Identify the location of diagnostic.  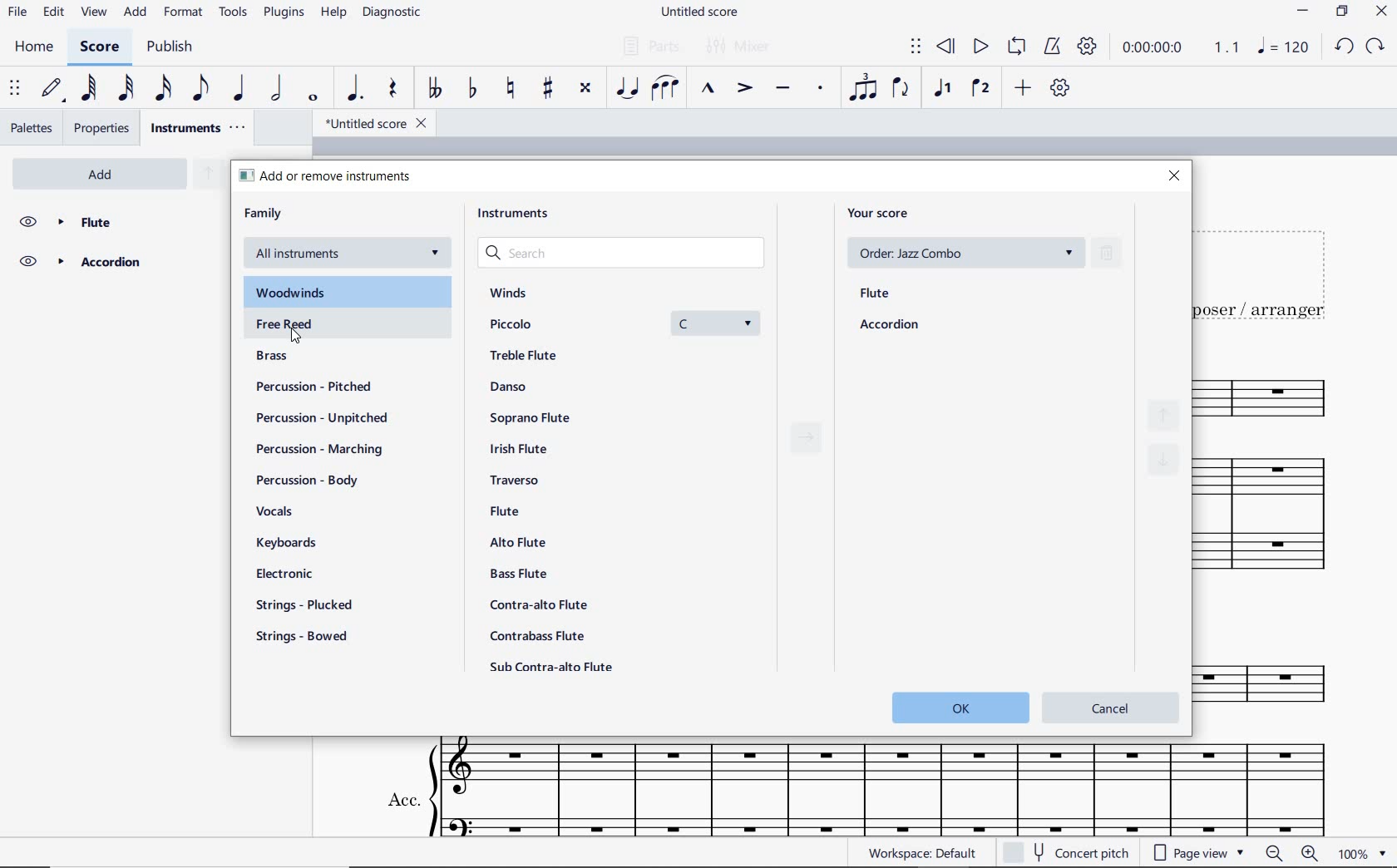
(392, 13).